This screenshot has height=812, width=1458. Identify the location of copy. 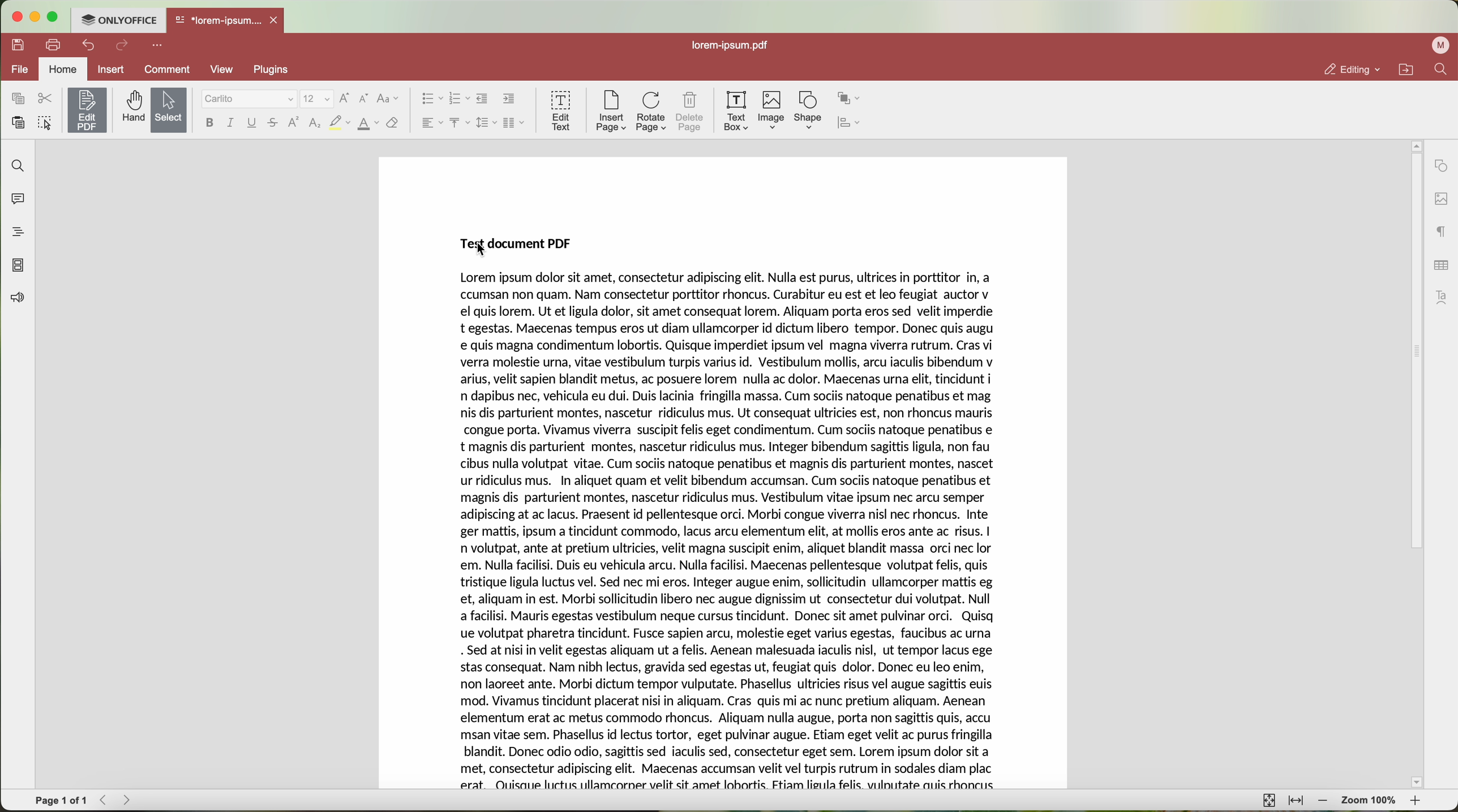
(18, 98).